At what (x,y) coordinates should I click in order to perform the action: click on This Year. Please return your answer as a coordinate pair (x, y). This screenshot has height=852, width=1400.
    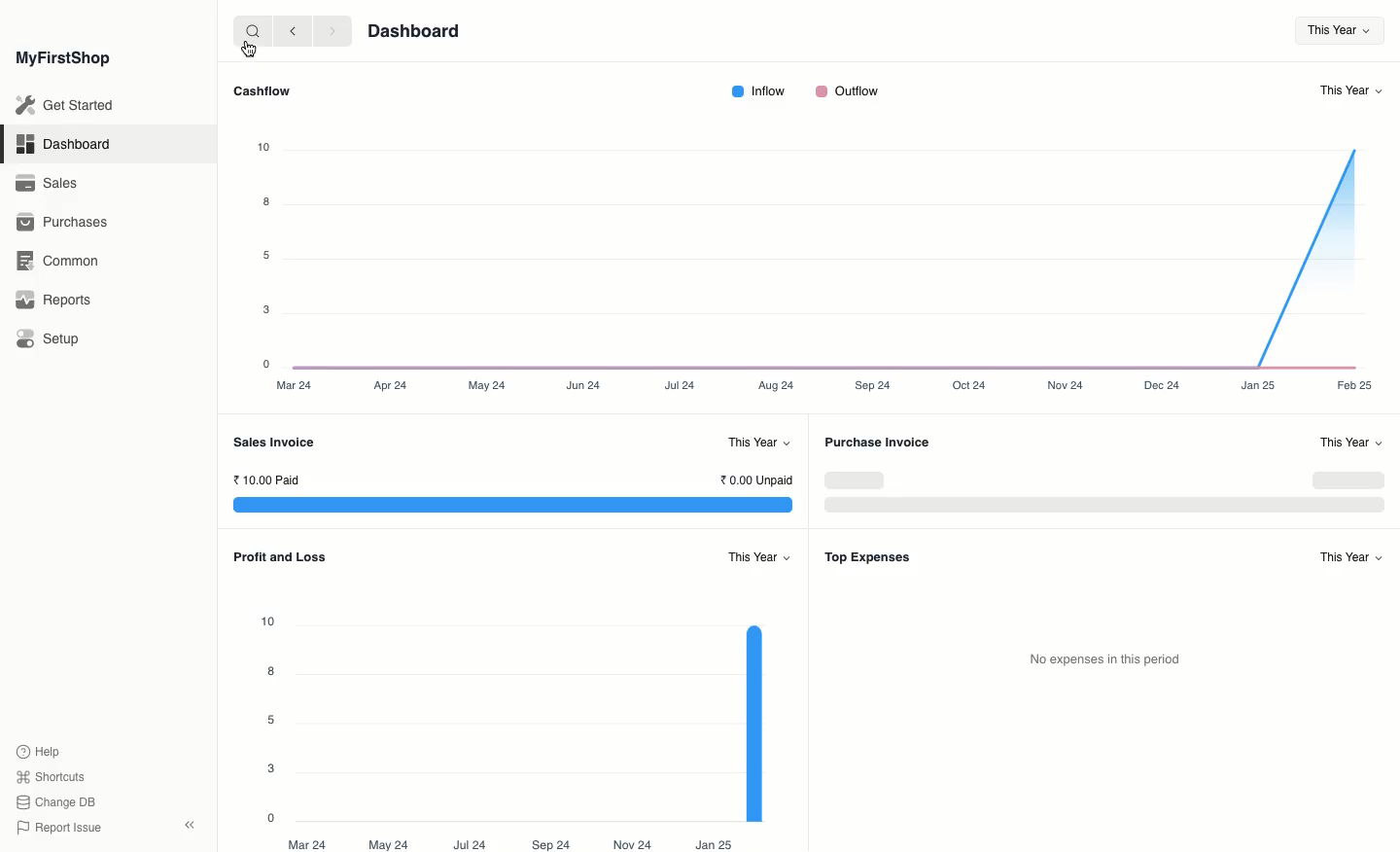
    Looking at the image, I should click on (1345, 444).